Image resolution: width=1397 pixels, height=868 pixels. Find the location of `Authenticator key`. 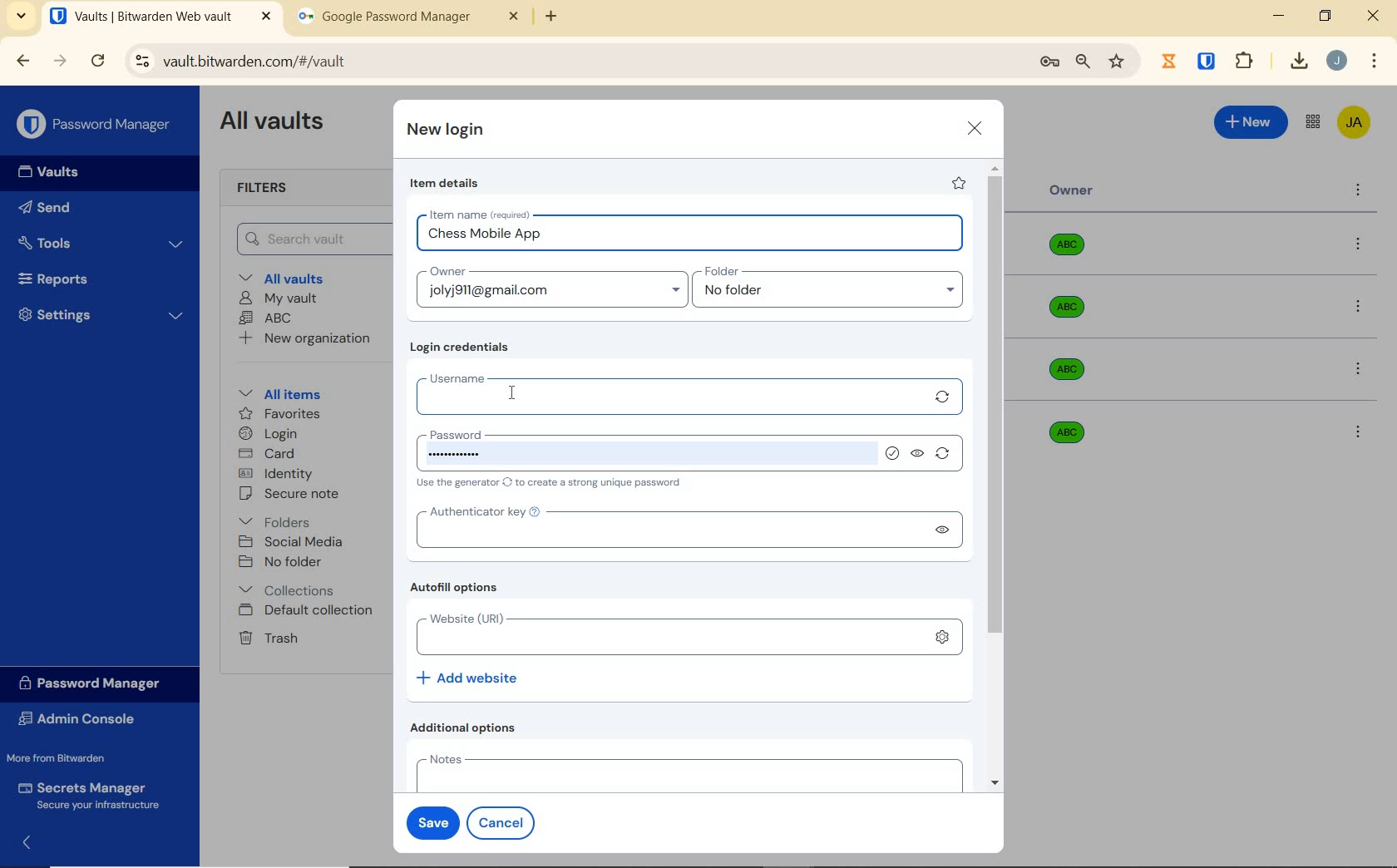

Authenticator key is located at coordinates (668, 526).